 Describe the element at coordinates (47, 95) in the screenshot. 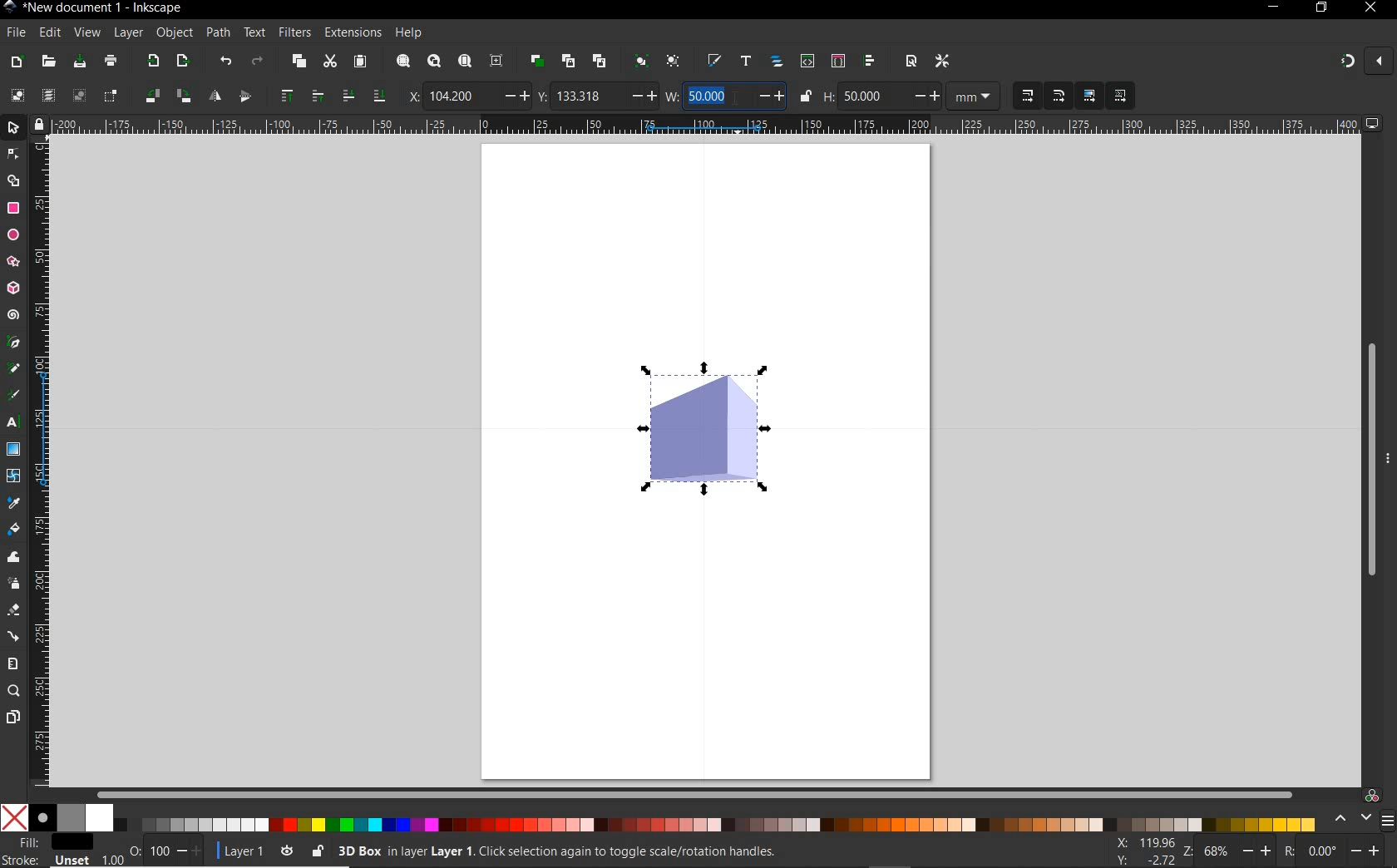

I see `select all in all layers` at that location.